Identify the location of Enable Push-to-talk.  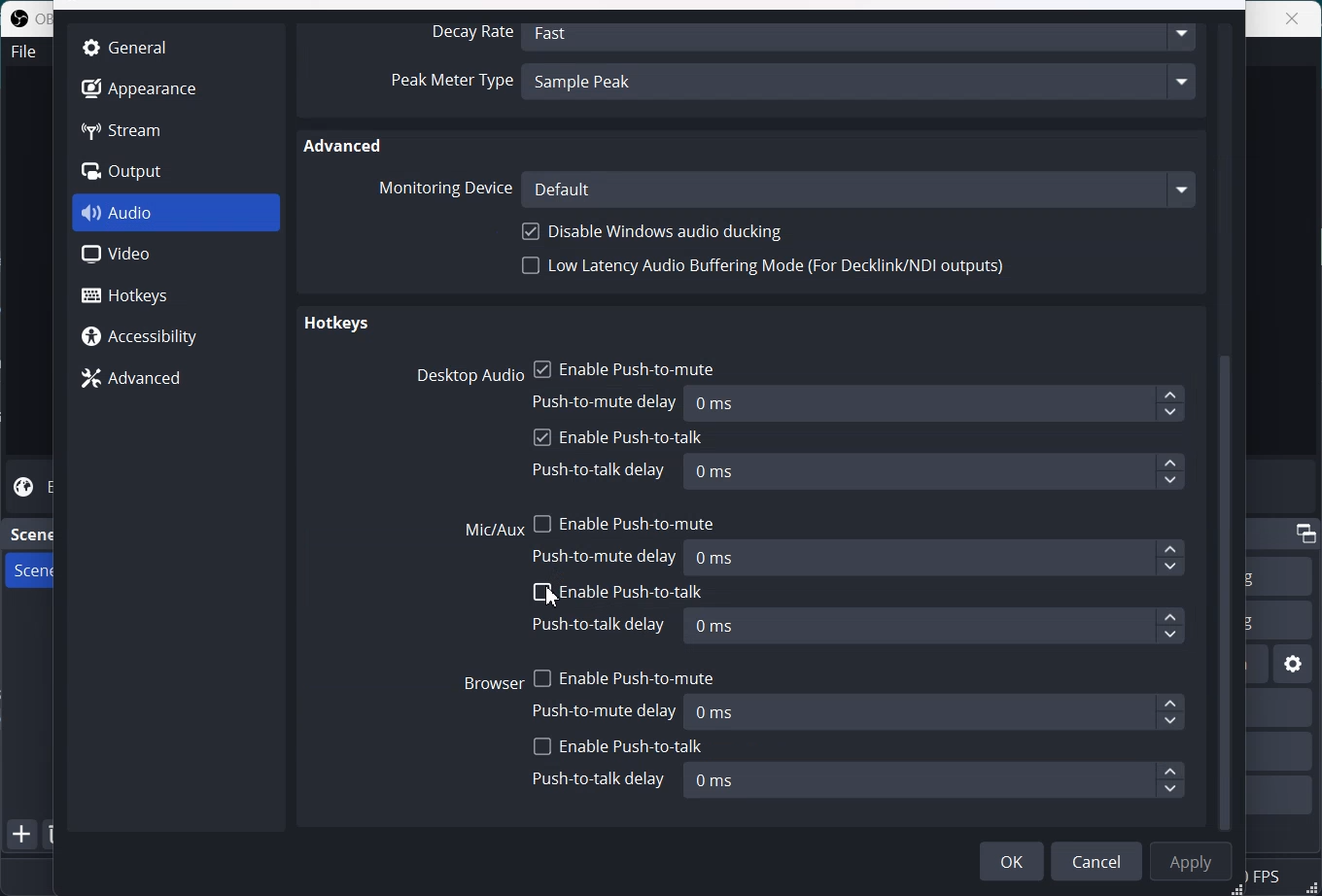
(618, 746).